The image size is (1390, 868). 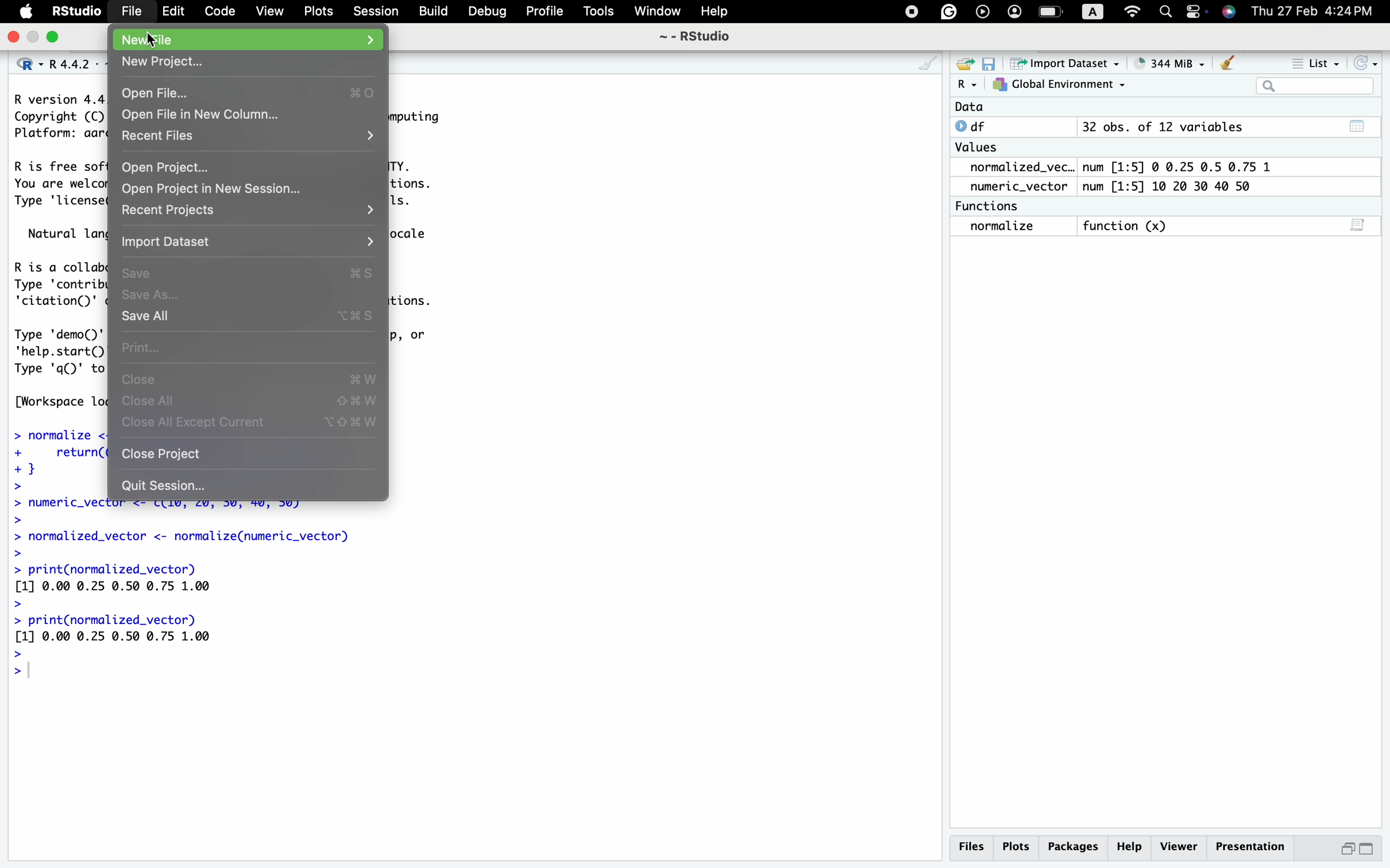 I want to click on siri, so click(x=1228, y=13).